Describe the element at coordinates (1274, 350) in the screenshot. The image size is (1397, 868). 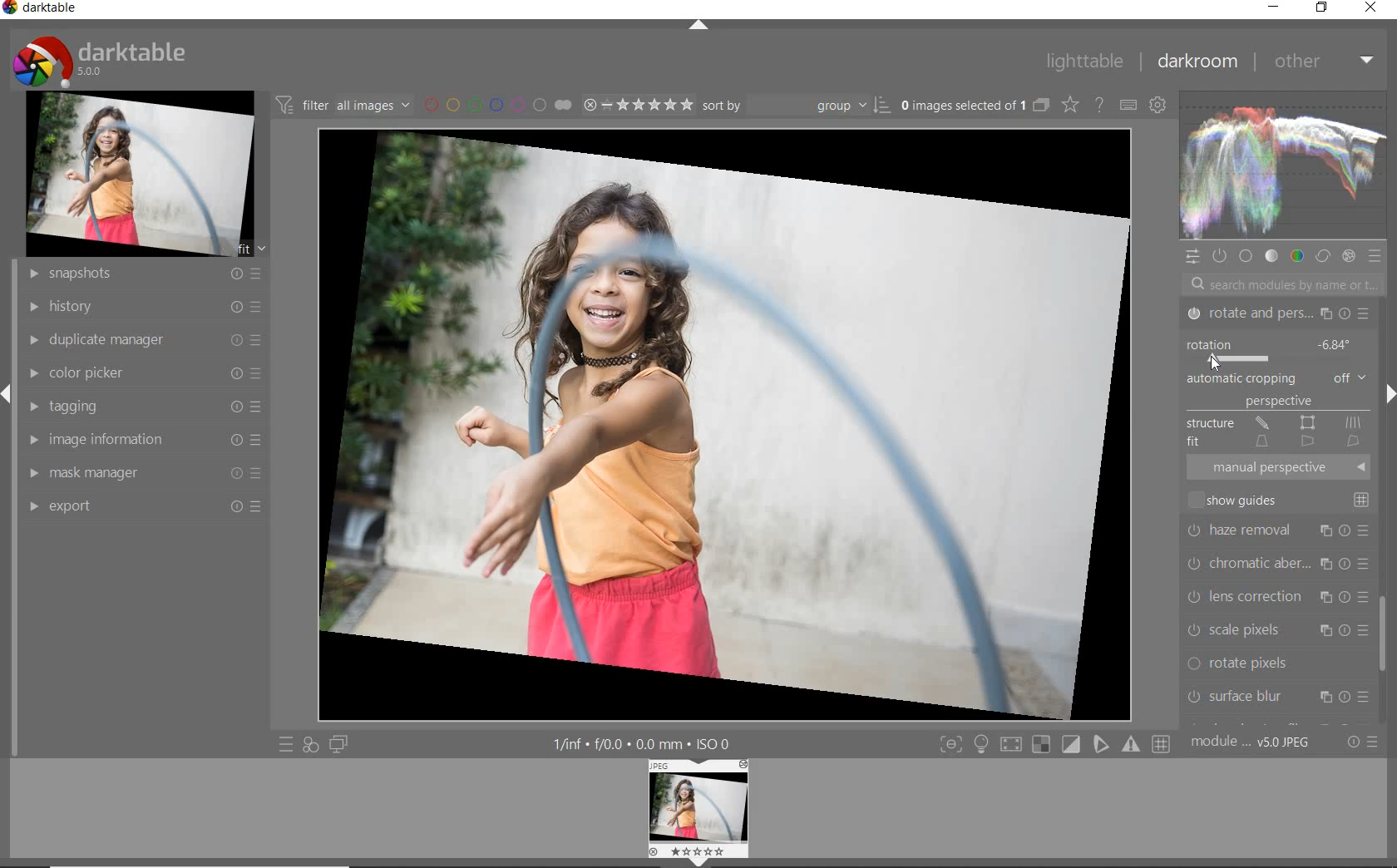
I see `ROTATION` at that location.